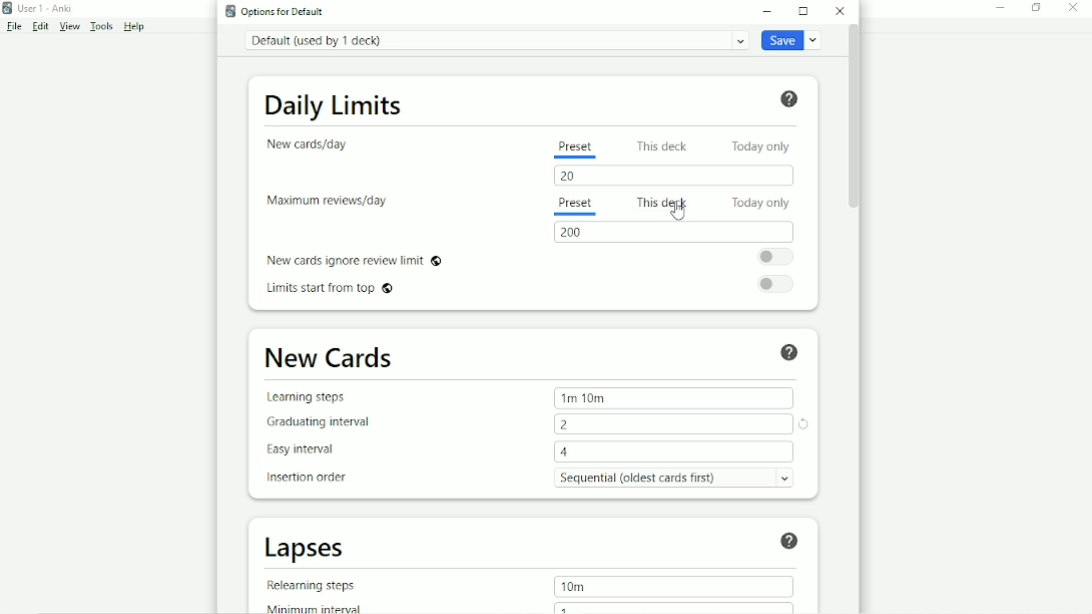 The image size is (1092, 614). Describe the element at coordinates (330, 358) in the screenshot. I see `New Cards` at that location.